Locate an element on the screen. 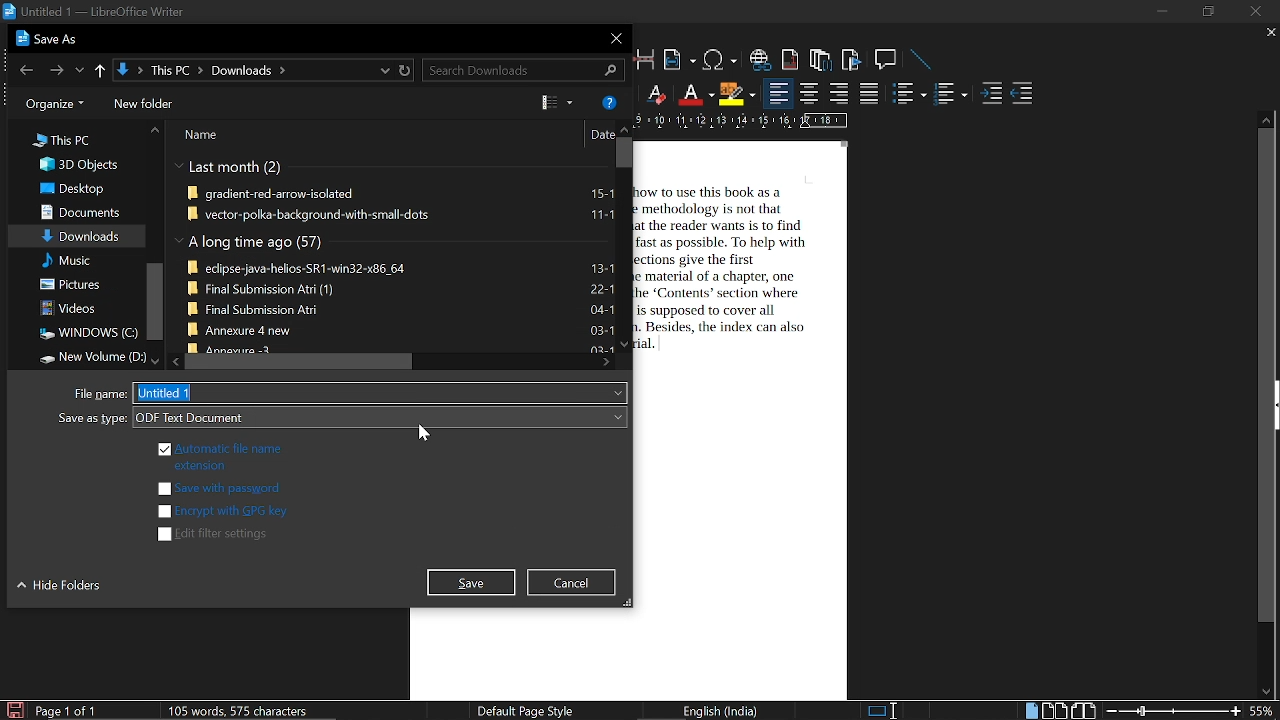  Date is located at coordinates (600, 136).